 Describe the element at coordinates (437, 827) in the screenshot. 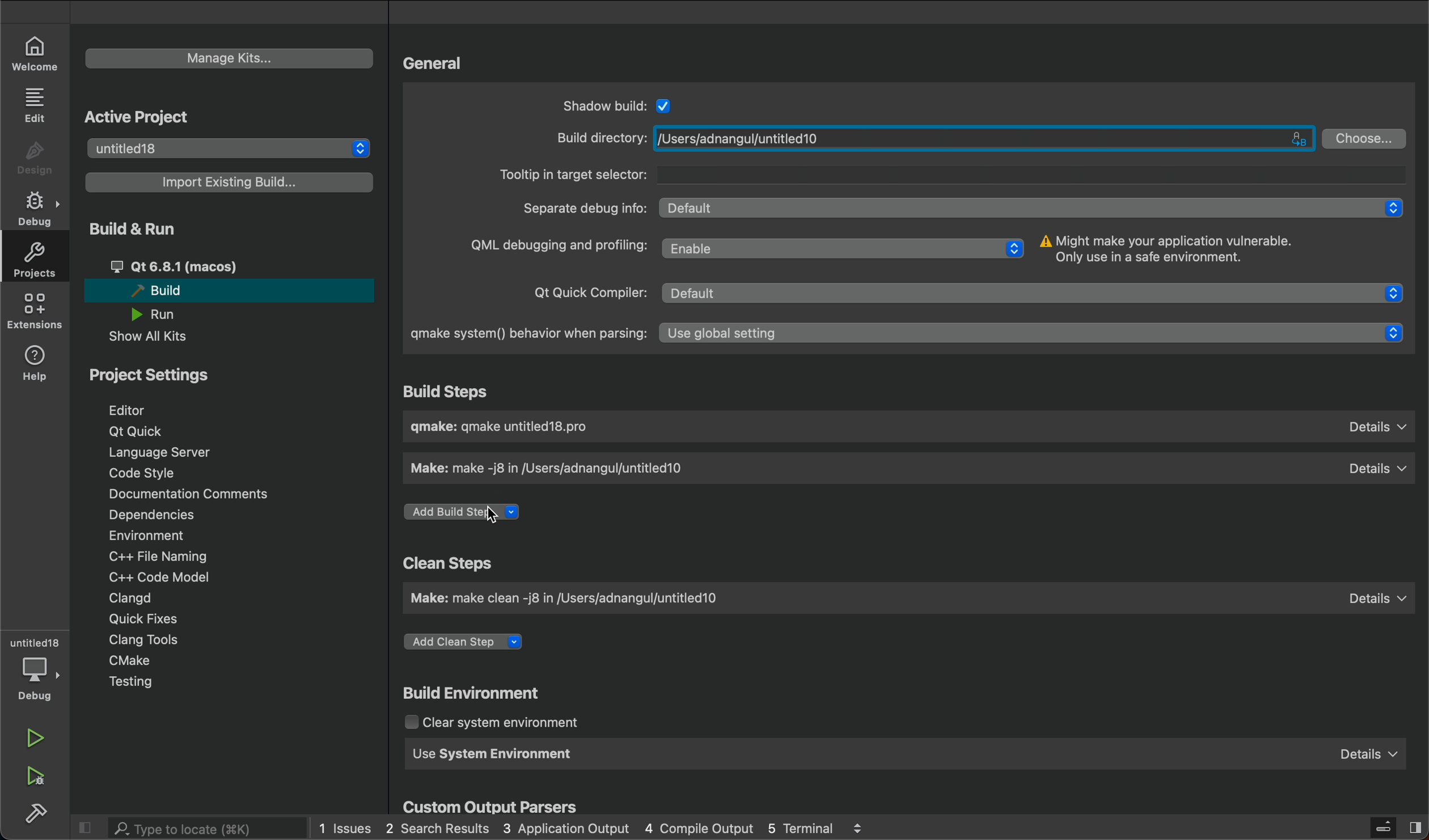

I see `2 Search Results` at that location.